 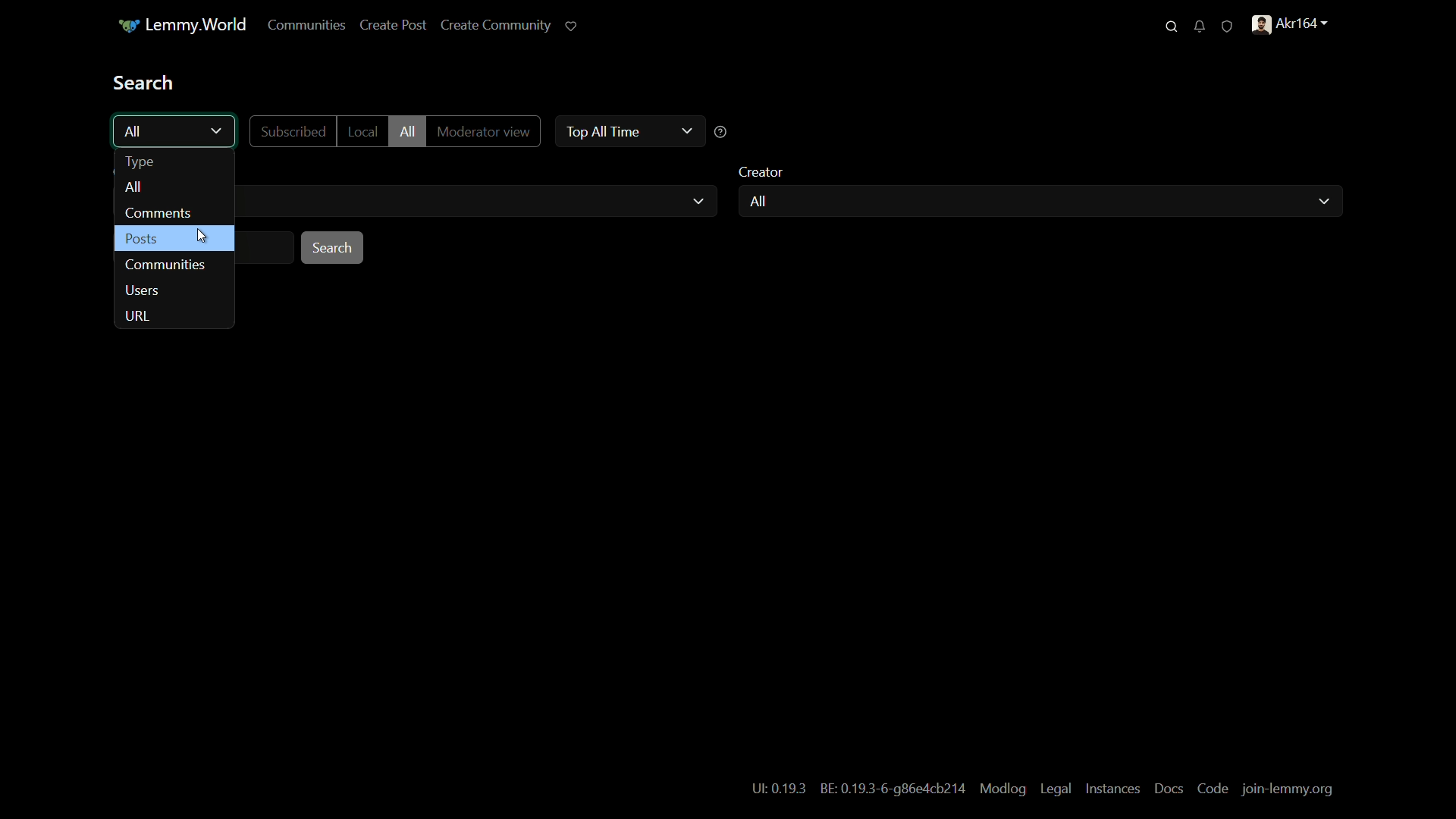 What do you see at coordinates (293, 132) in the screenshot?
I see `subscribed` at bounding box center [293, 132].